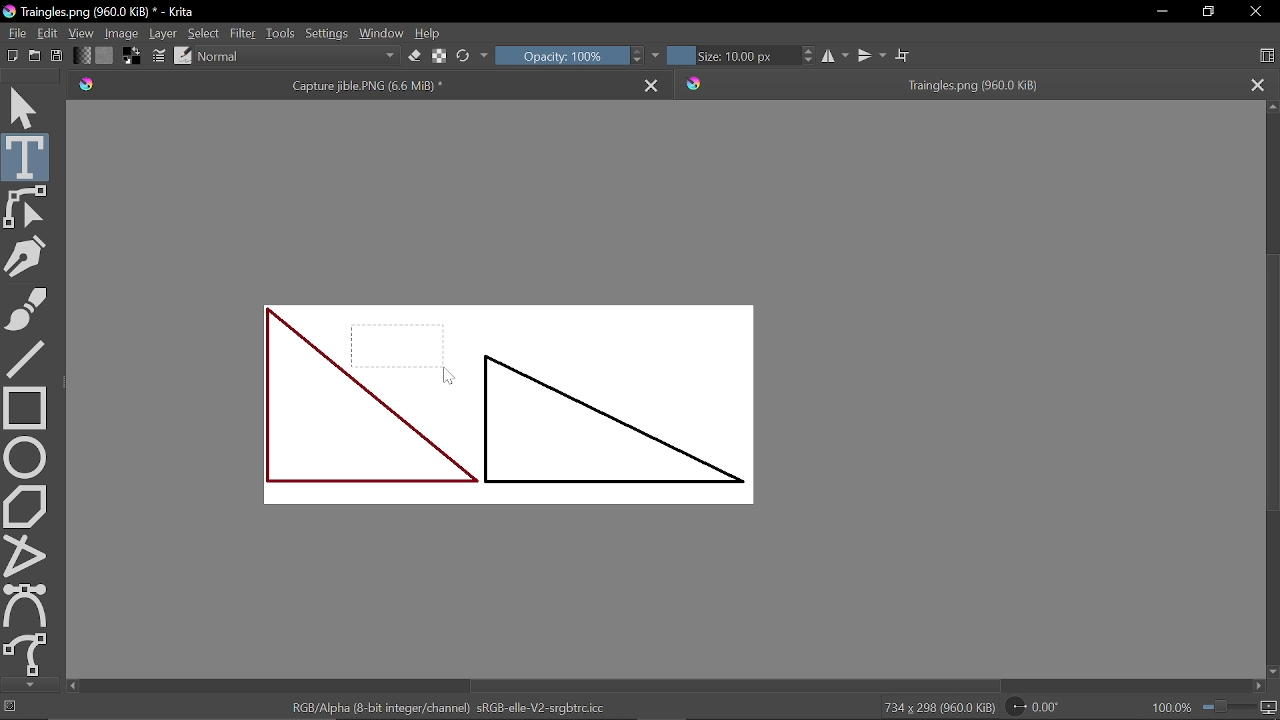 This screenshot has height=720, width=1280. I want to click on Move down in tools, so click(27, 685).